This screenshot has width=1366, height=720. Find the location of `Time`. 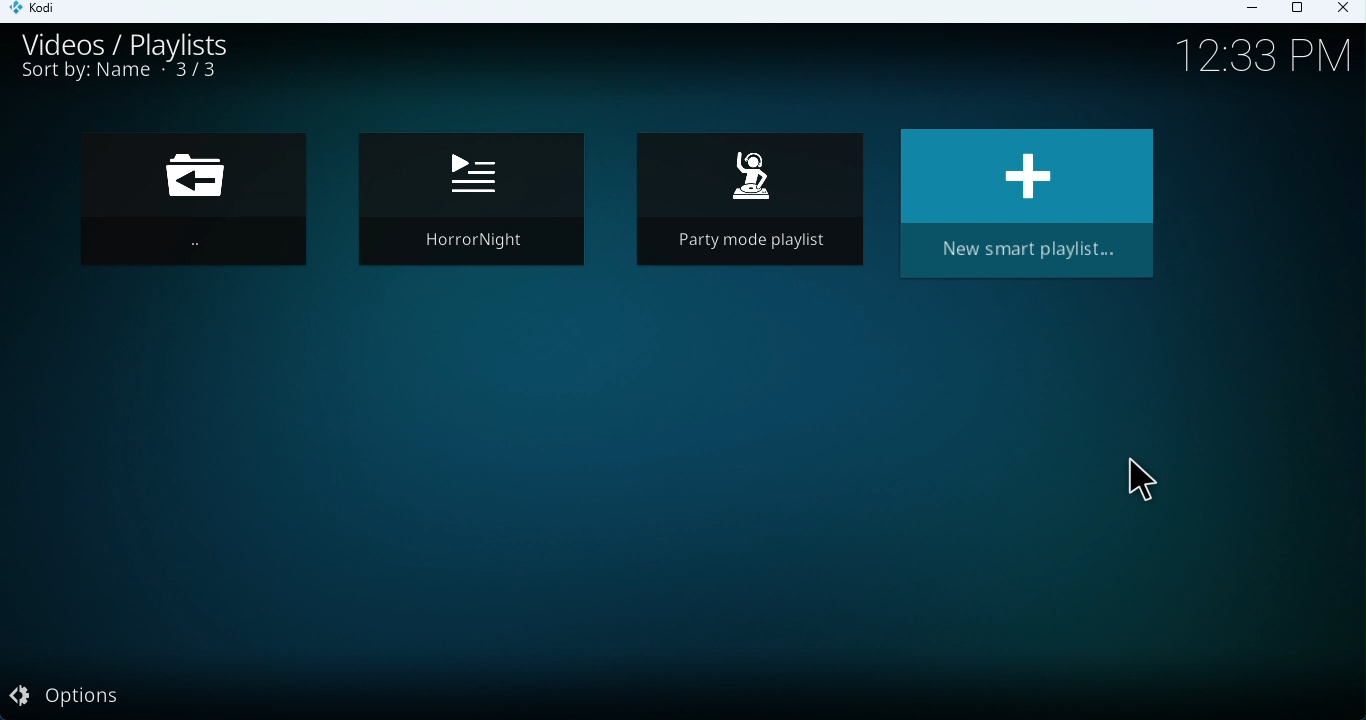

Time is located at coordinates (1252, 58).